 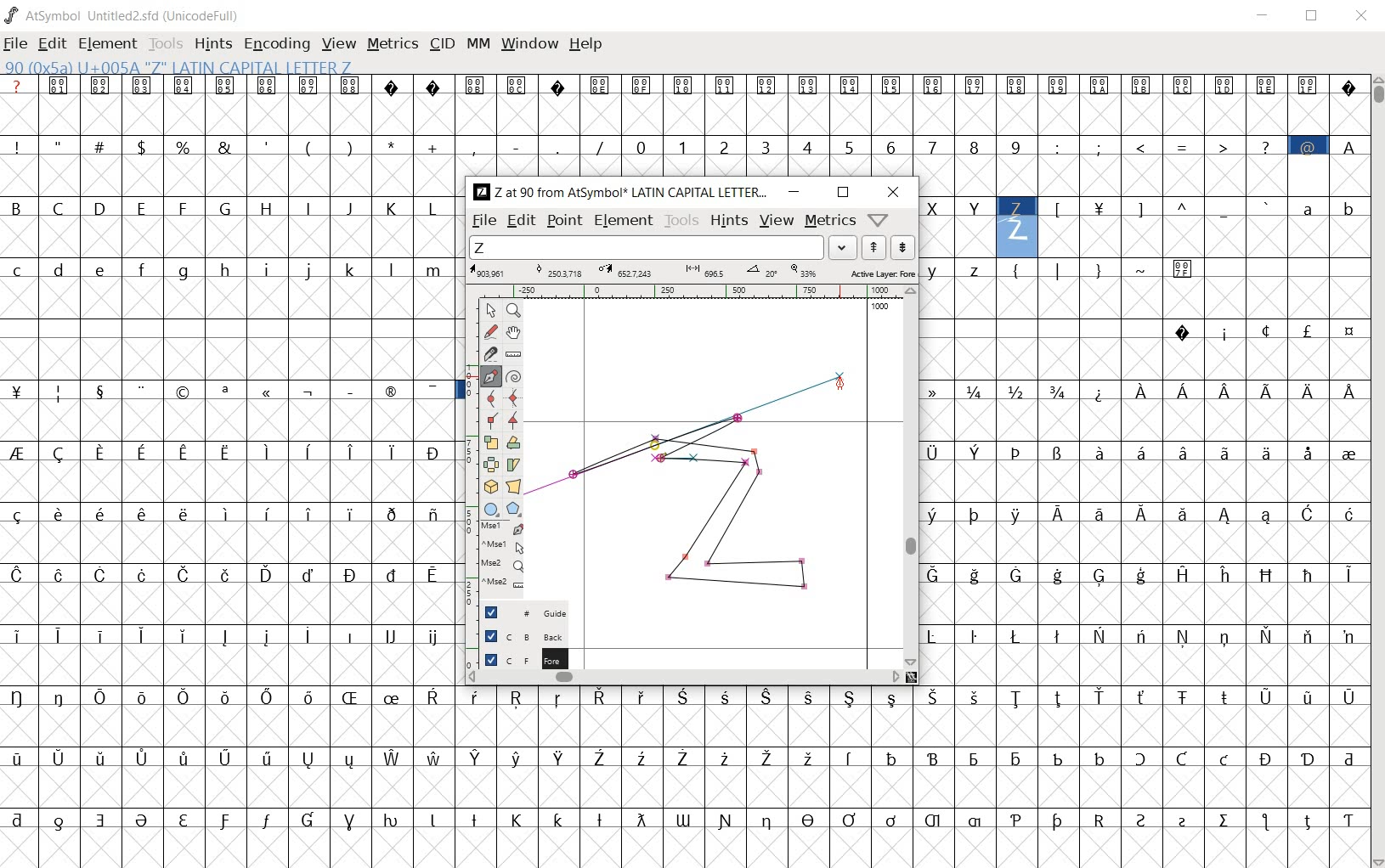 I want to click on restore down, so click(x=843, y=192).